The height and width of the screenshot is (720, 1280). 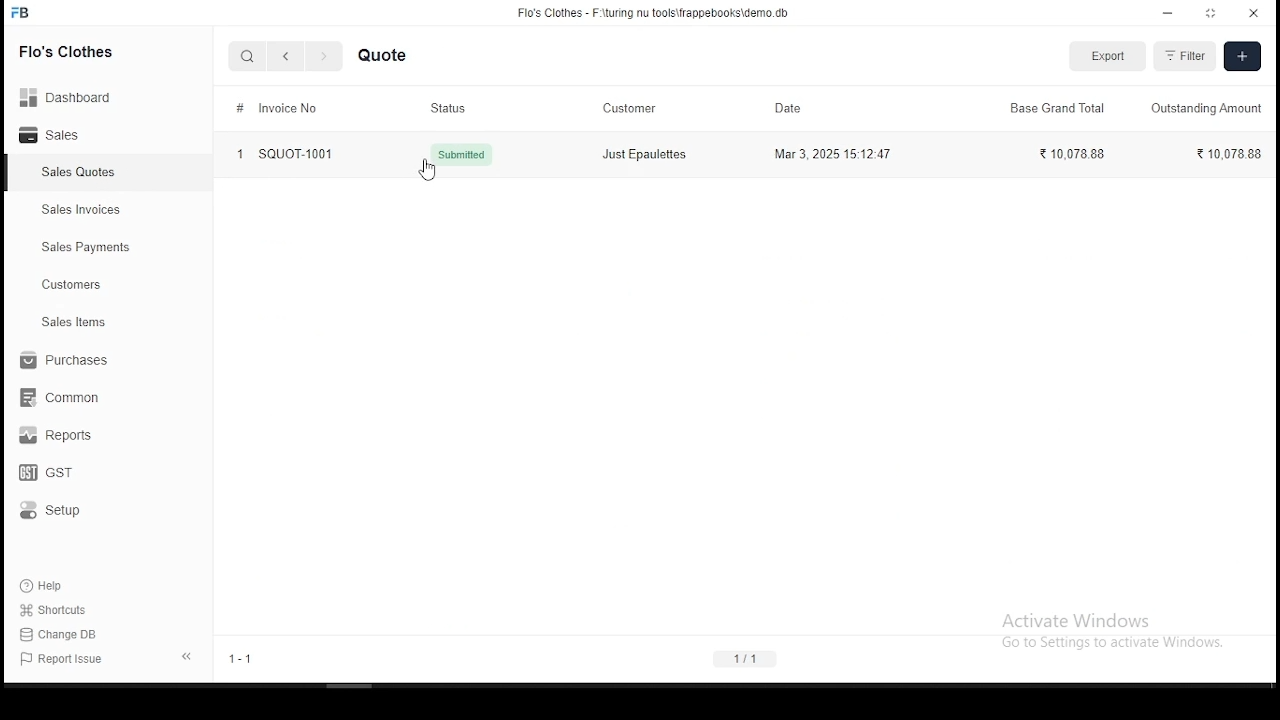 I want to click on Just Epaulettes, so click(x=655, y=157).